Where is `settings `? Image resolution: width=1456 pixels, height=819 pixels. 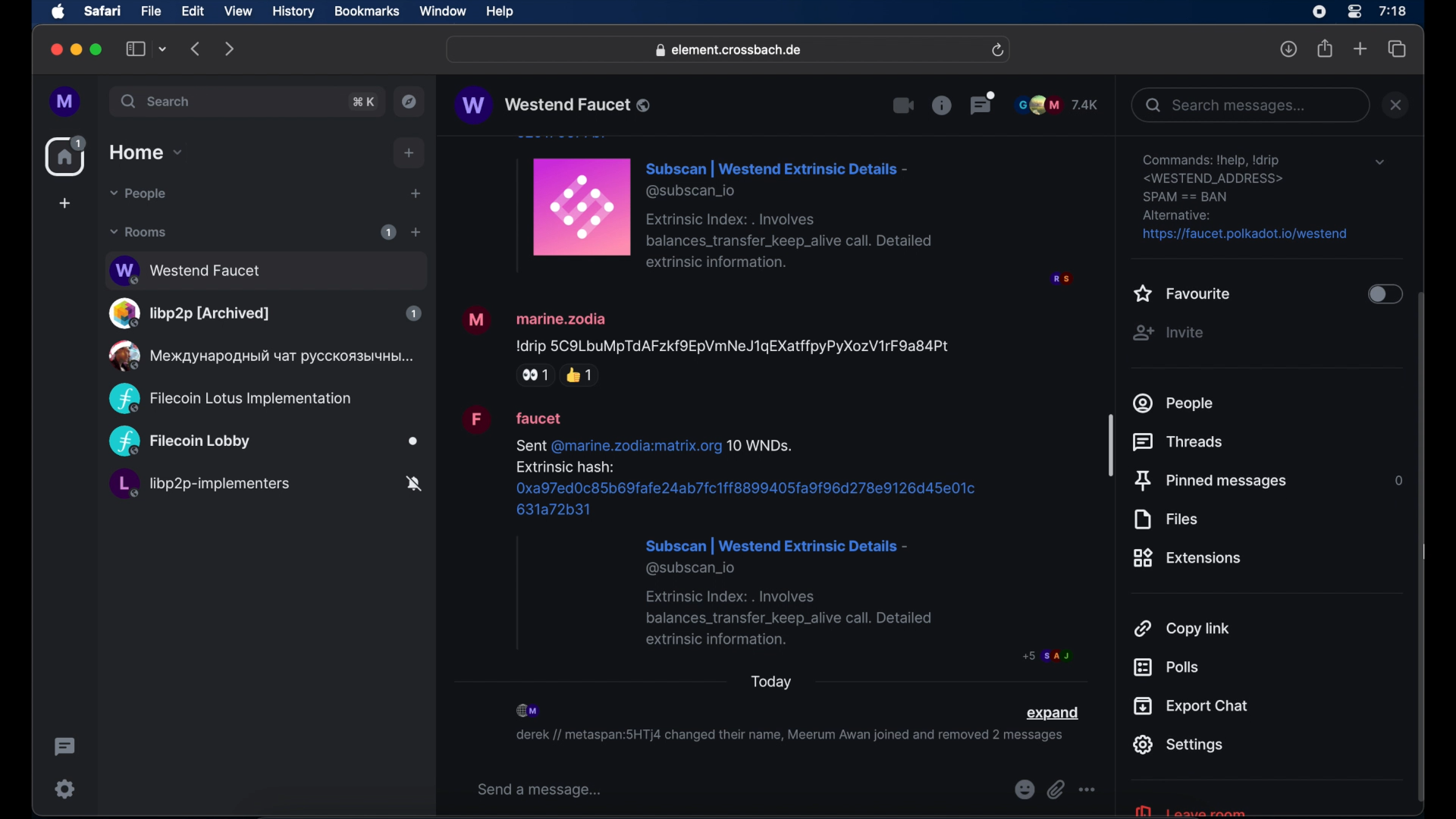
settings  is located at coordinates (1247, 198).